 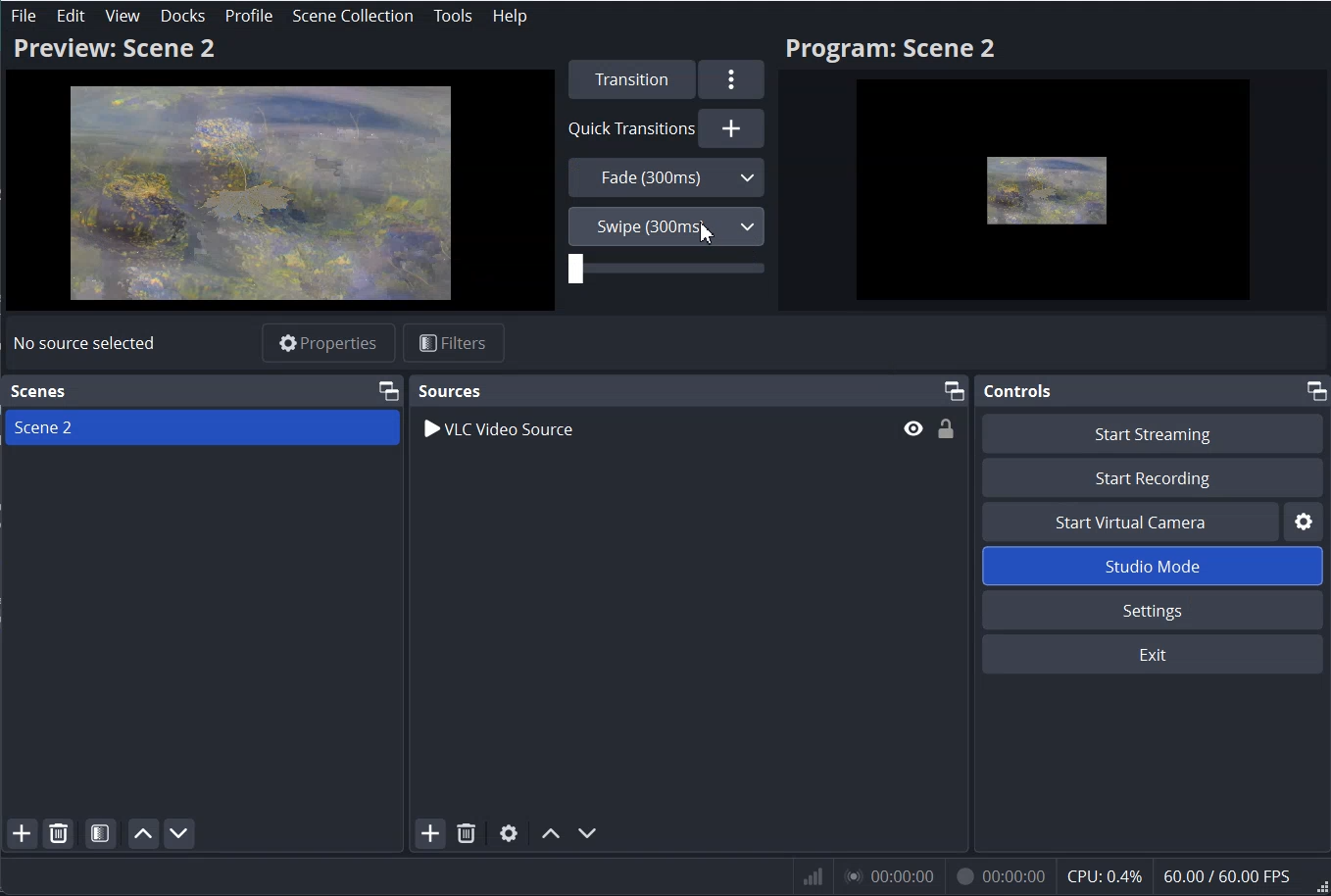 What do you see at coordinates (24, 17) in the screenshot?
I see `File` at bounding box center [24, 17].